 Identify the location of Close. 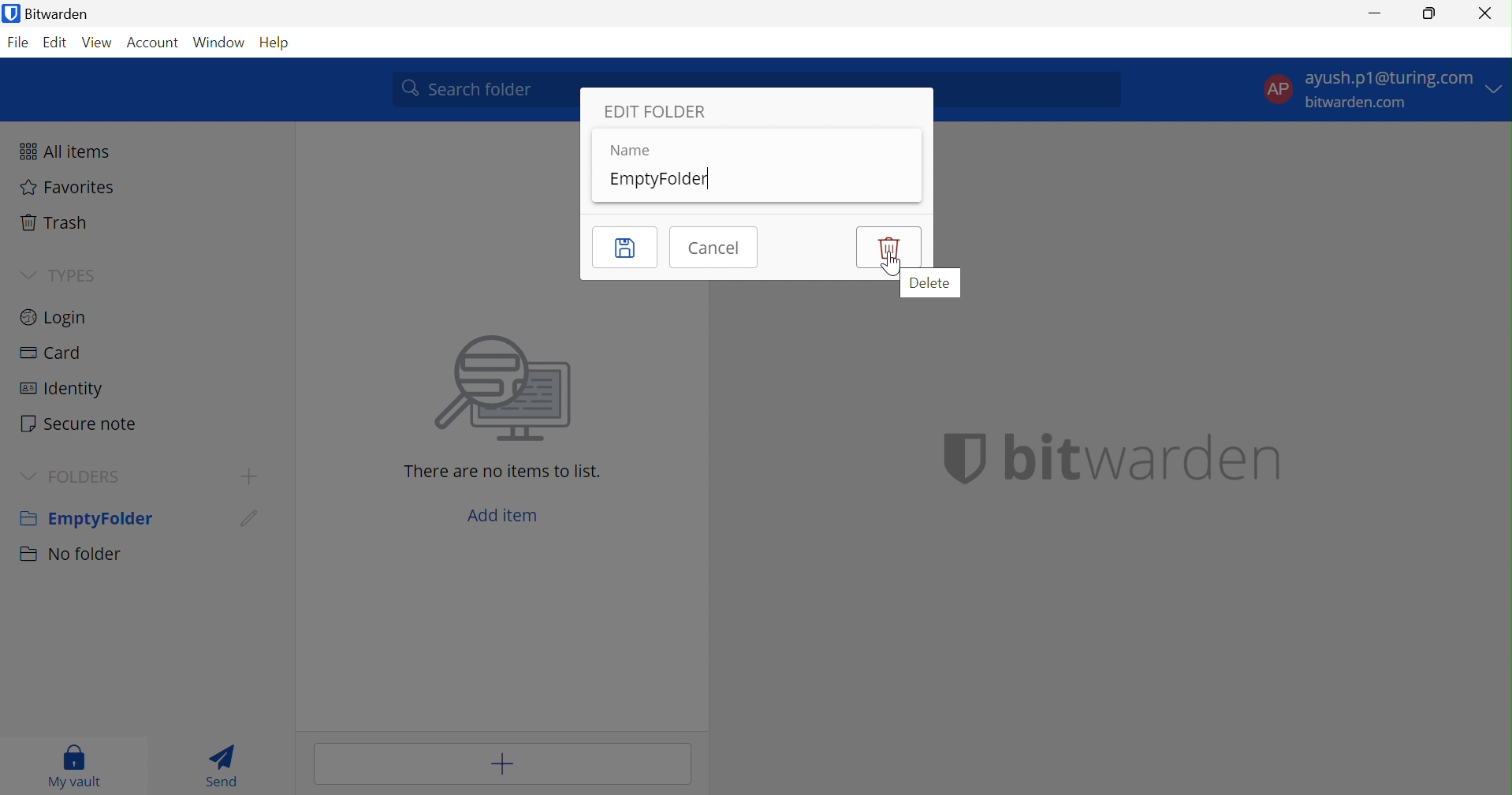
(1485, 14).